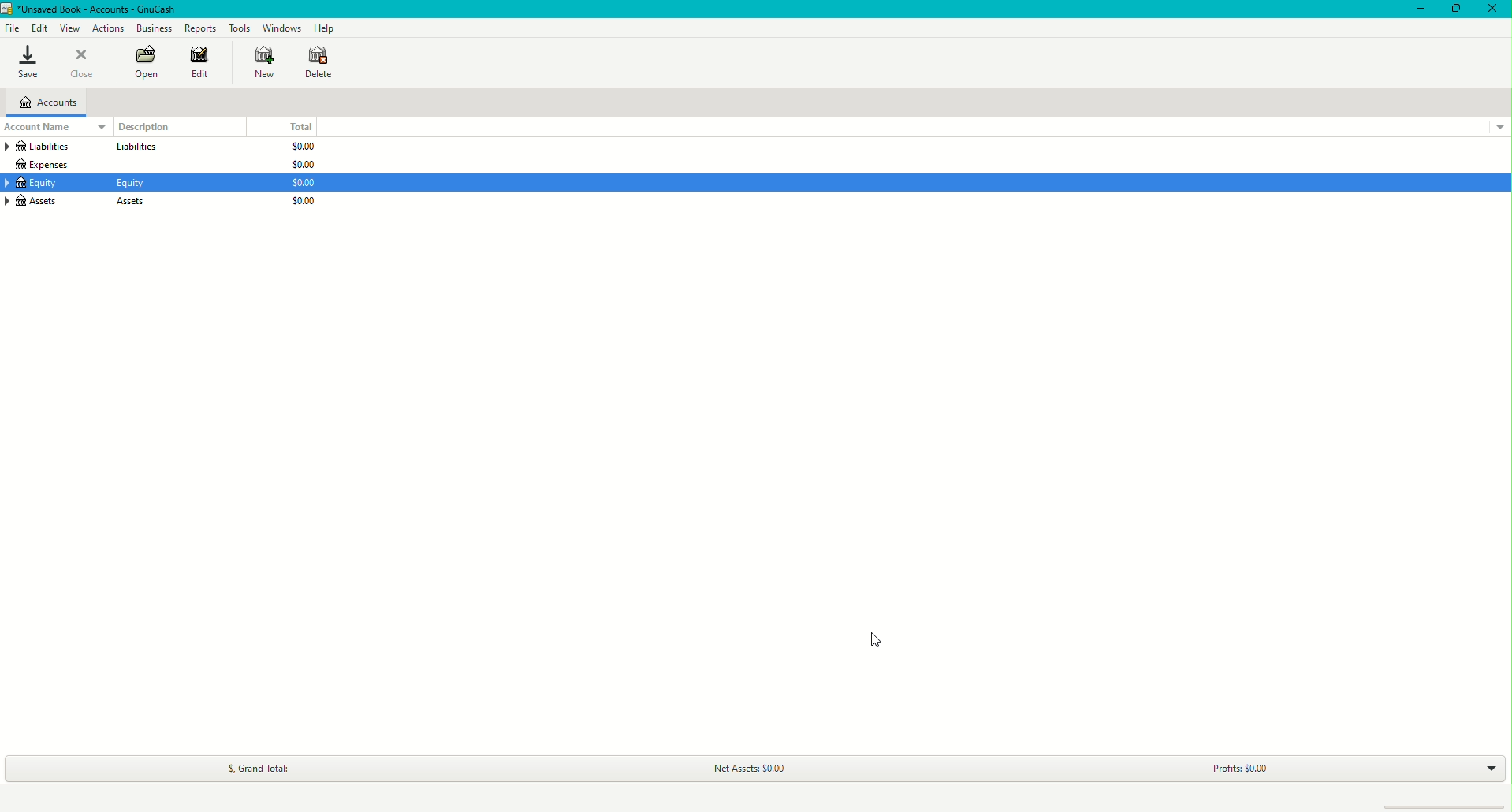 This screenshot has height=812, width=1512. Describe the element at coordinates (46, 182) in the screenshot. I see `Assets` at that location.